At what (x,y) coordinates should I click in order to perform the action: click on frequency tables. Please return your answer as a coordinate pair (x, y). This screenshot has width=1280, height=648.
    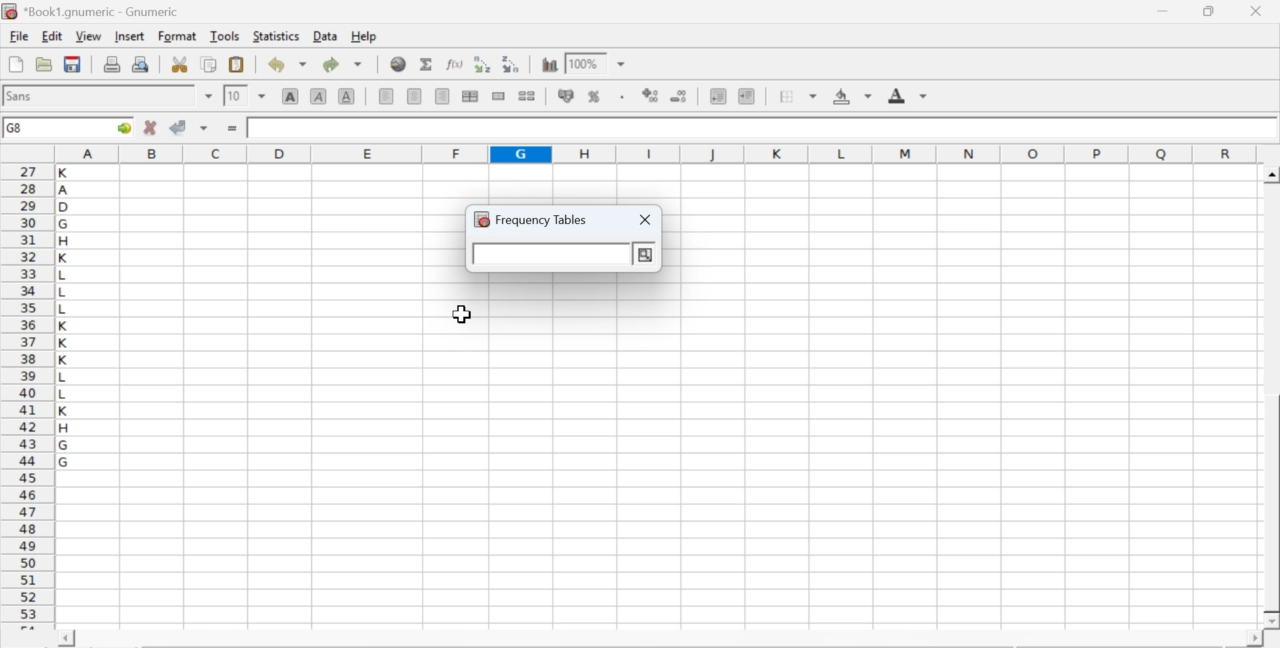
    Looking at the image, I should click on (531, 219).